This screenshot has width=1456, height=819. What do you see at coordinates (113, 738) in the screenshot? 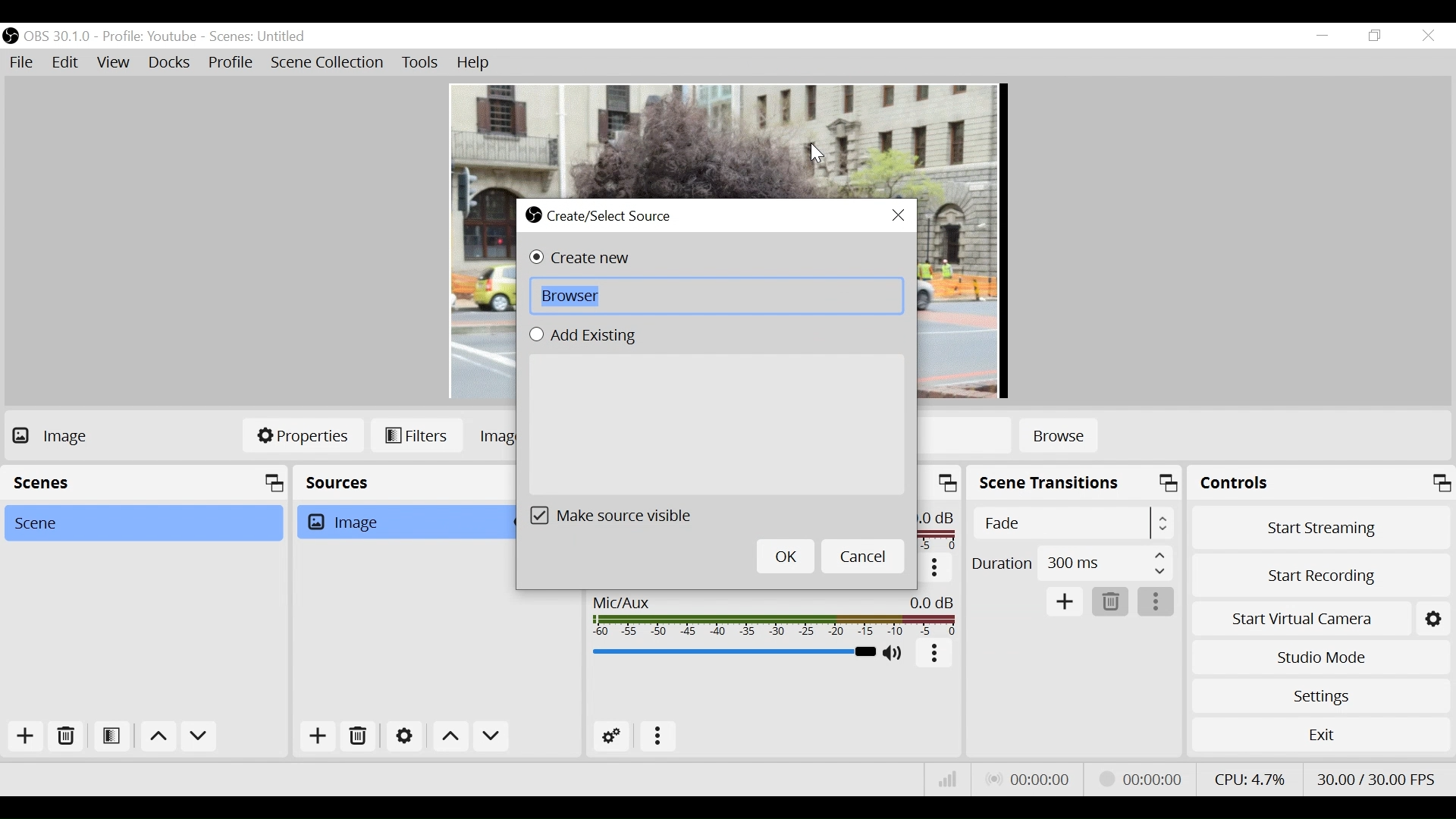
I see `Open Scene Filter` at bounding box center [113, 738].